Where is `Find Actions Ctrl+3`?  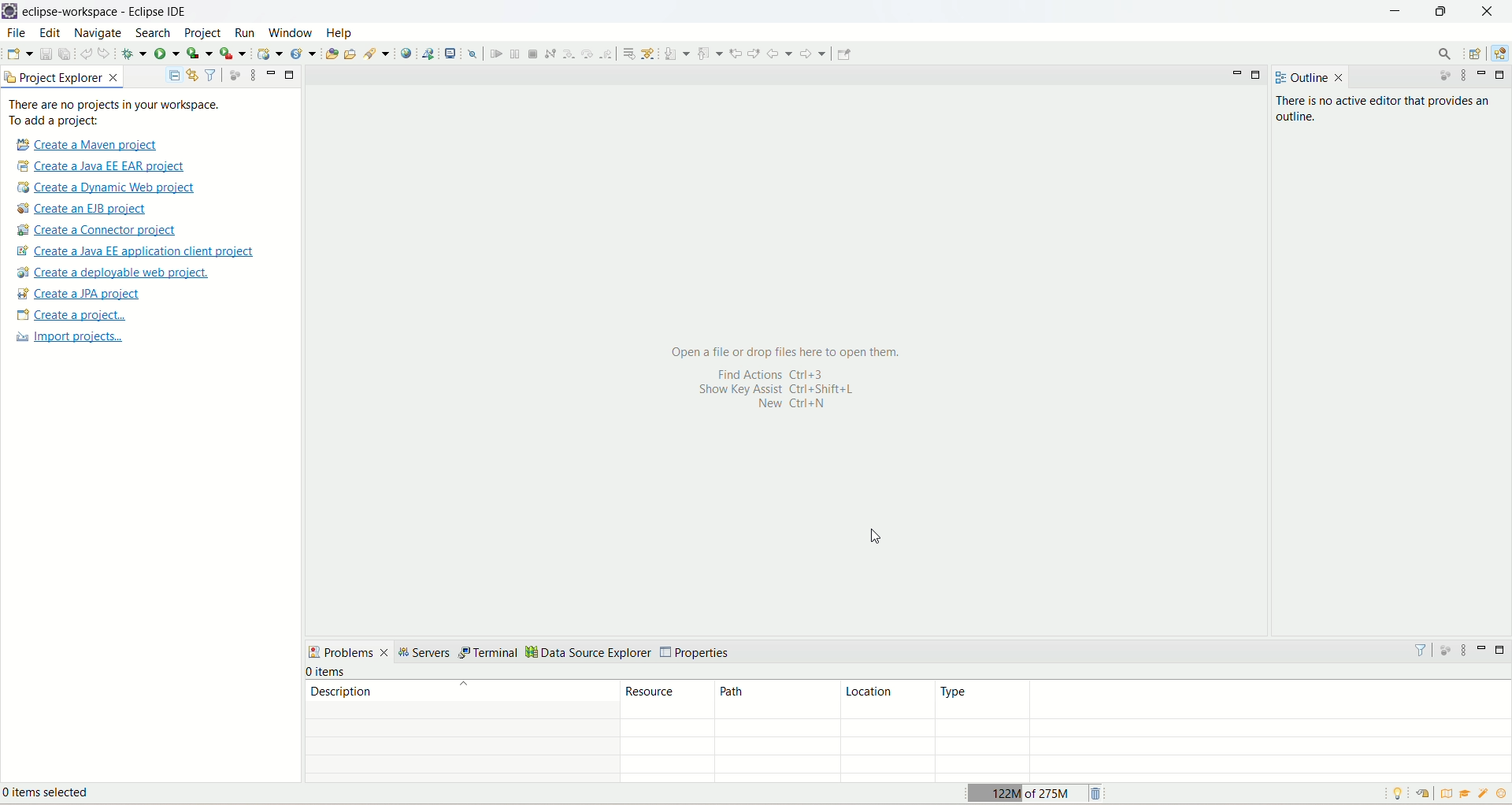 Find Actions Ctrl+3 is located at coordinates (765, 373).